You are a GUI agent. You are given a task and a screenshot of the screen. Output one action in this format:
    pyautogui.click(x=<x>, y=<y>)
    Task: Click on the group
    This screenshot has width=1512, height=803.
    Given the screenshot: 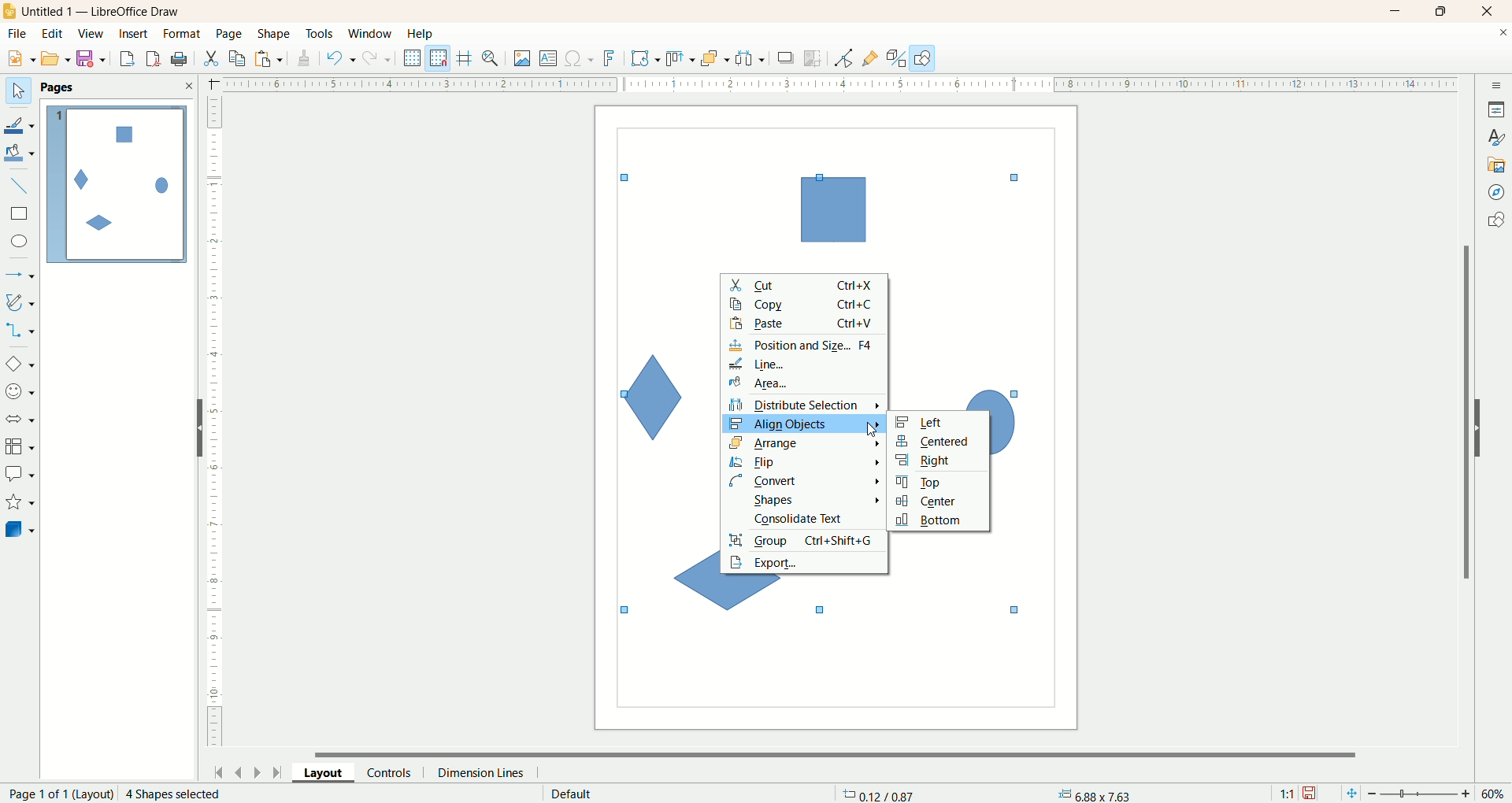 What is the action you would take?
    pyautogui.click(x=804, y=539)
    